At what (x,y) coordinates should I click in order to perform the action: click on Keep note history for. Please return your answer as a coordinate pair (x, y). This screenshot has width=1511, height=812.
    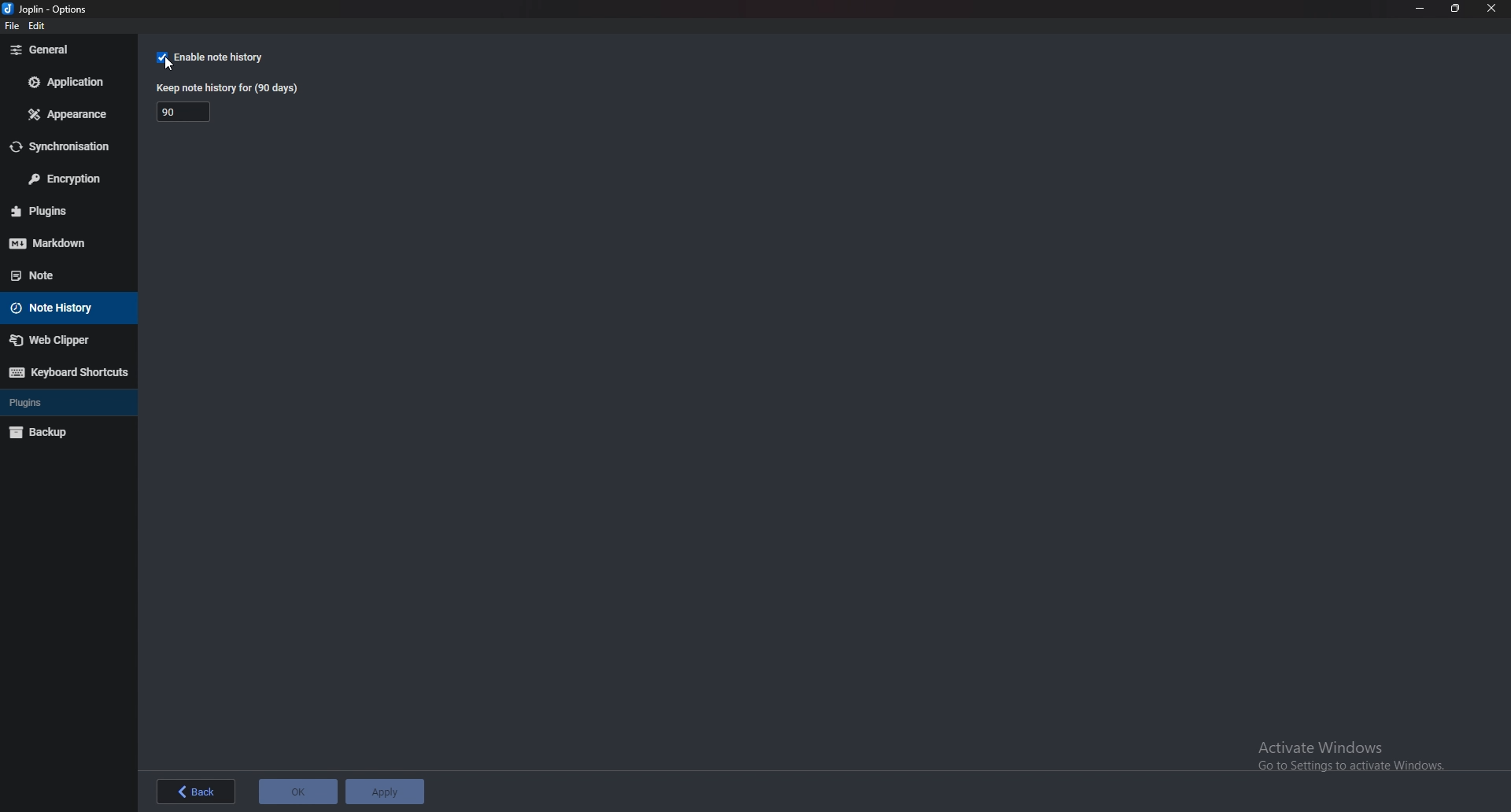
    Looking at the image, I should click on (187, 111).